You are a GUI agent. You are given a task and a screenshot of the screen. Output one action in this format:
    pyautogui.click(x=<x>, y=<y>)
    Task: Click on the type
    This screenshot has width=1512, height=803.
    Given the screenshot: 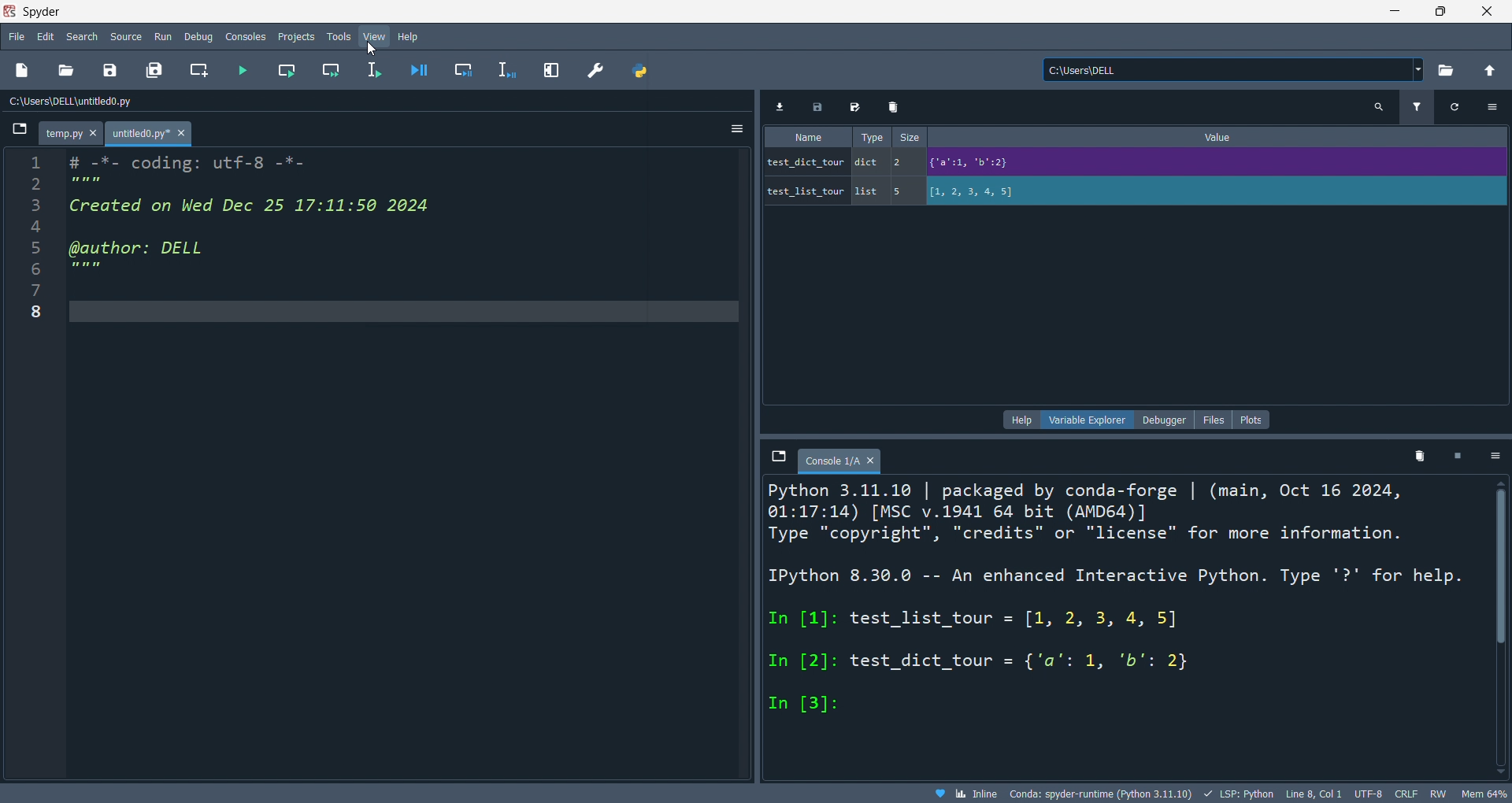 What is the action you would take?
    pyautogui.click(x=868, y=136)
    